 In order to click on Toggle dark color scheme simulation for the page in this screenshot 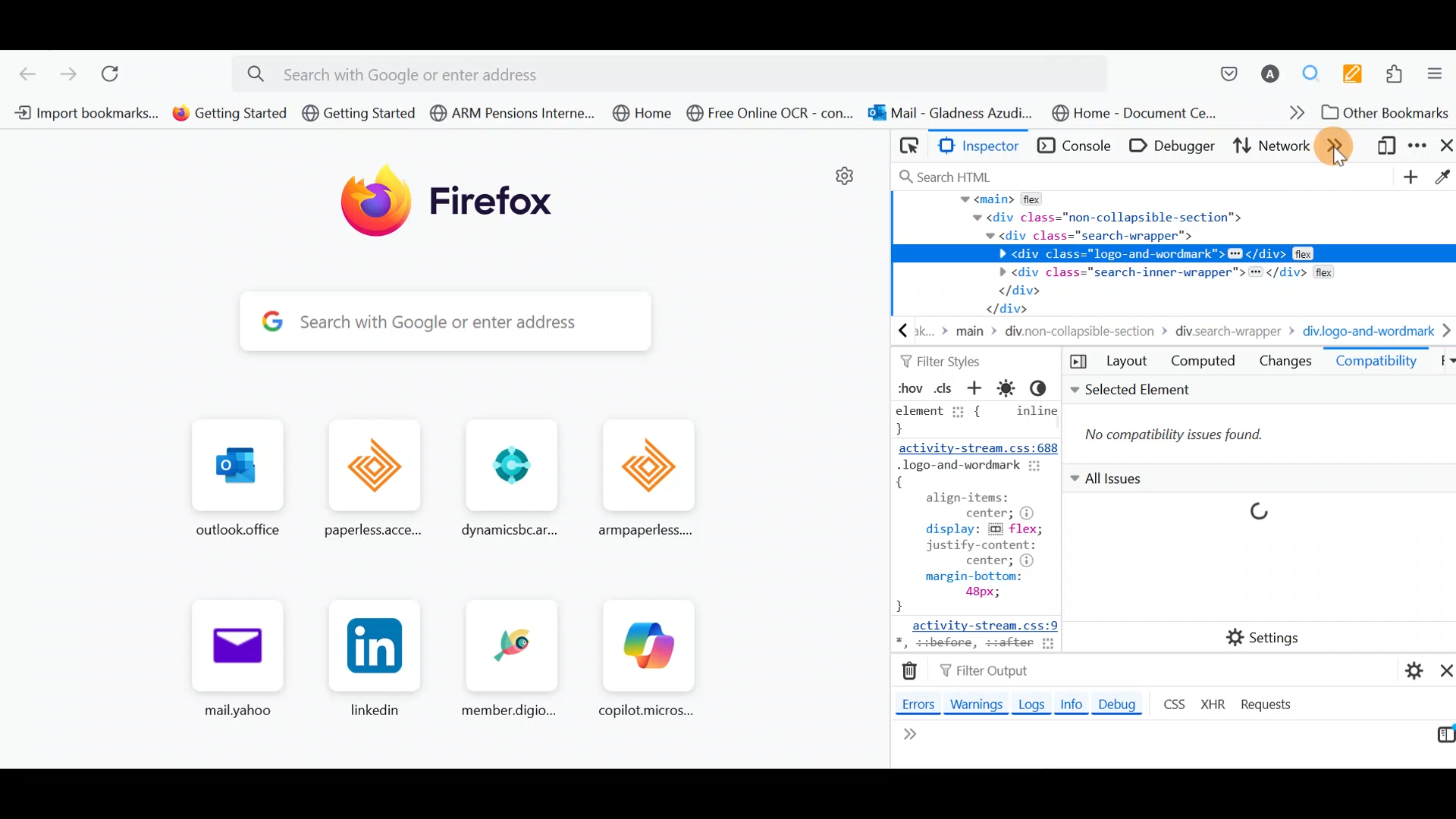, I will do `click(1046, 390)`.